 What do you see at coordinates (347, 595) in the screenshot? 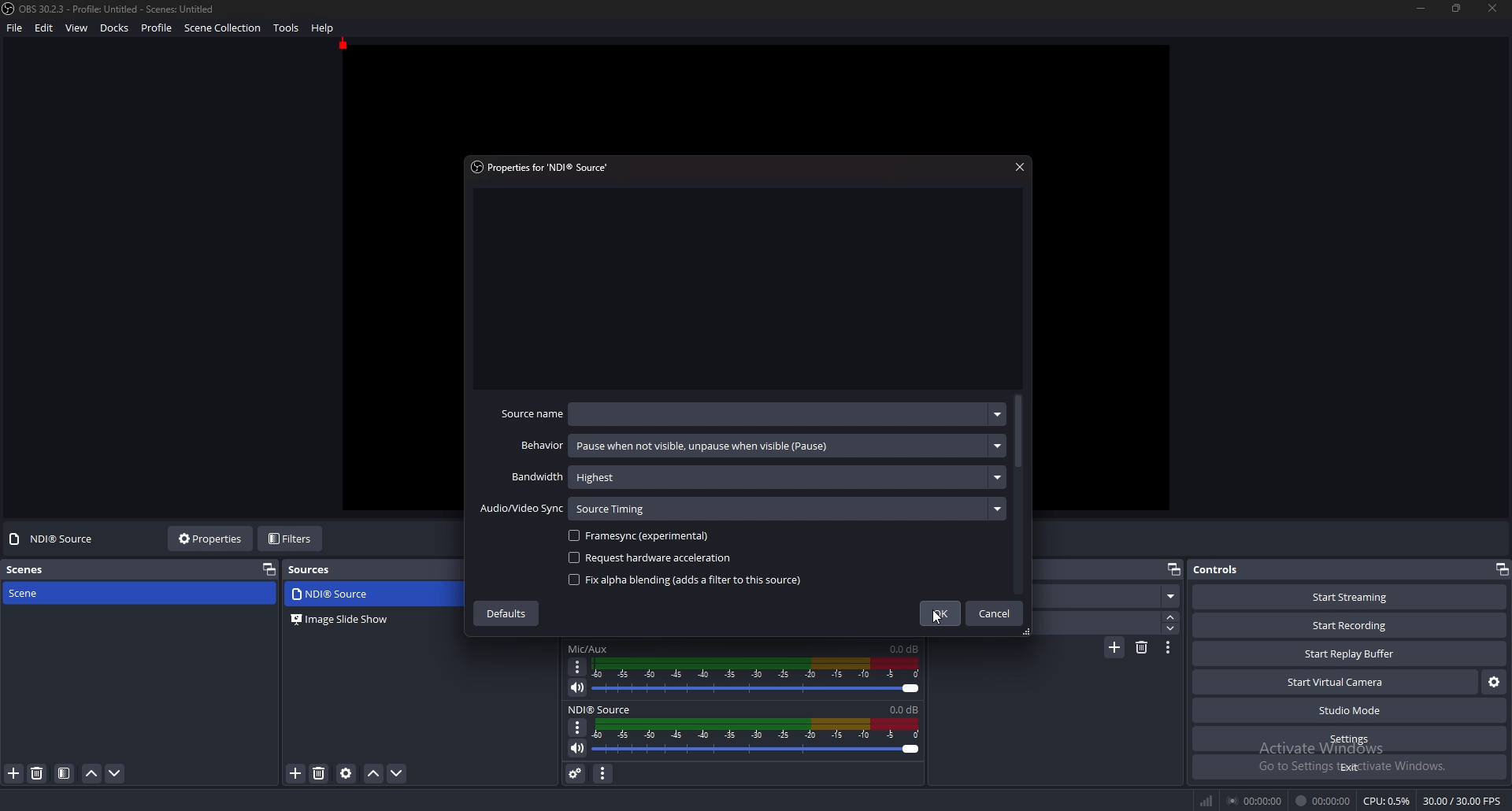
I see `source` at bounding box center [347, 595].